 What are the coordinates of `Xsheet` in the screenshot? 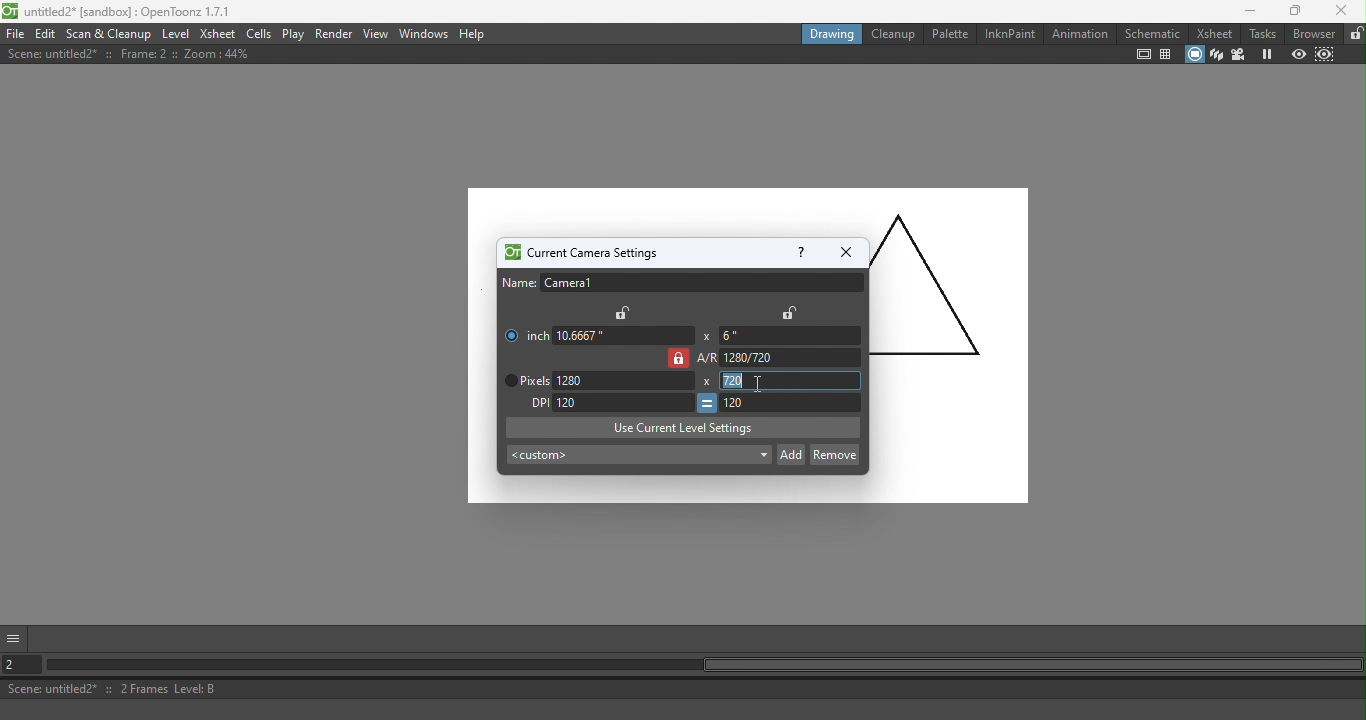 It's located at (1213, 33).